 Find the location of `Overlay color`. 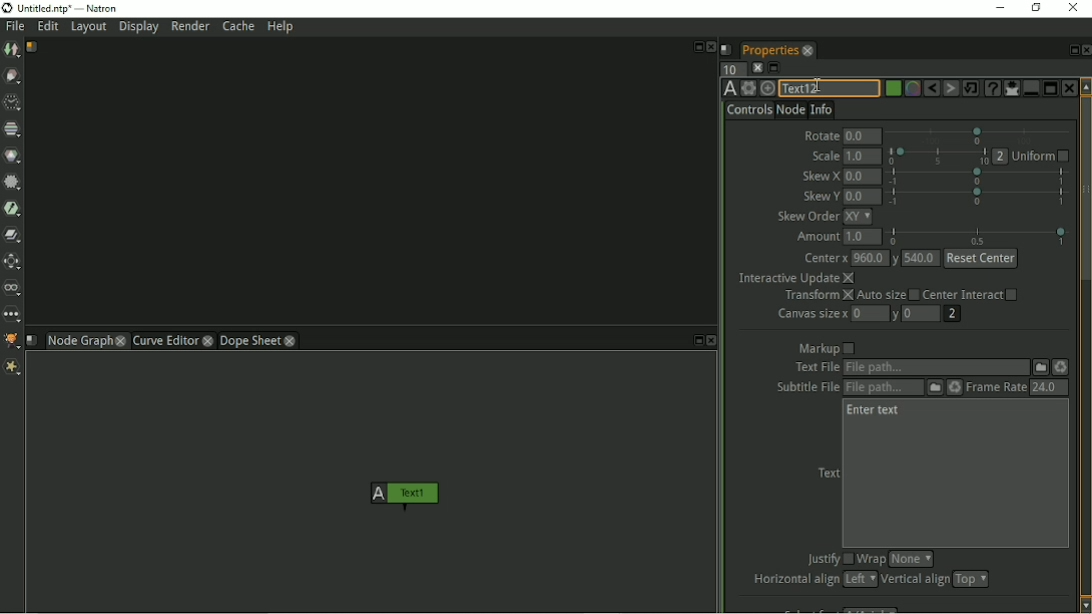

Overlay color is located at coordinates (911, 89).